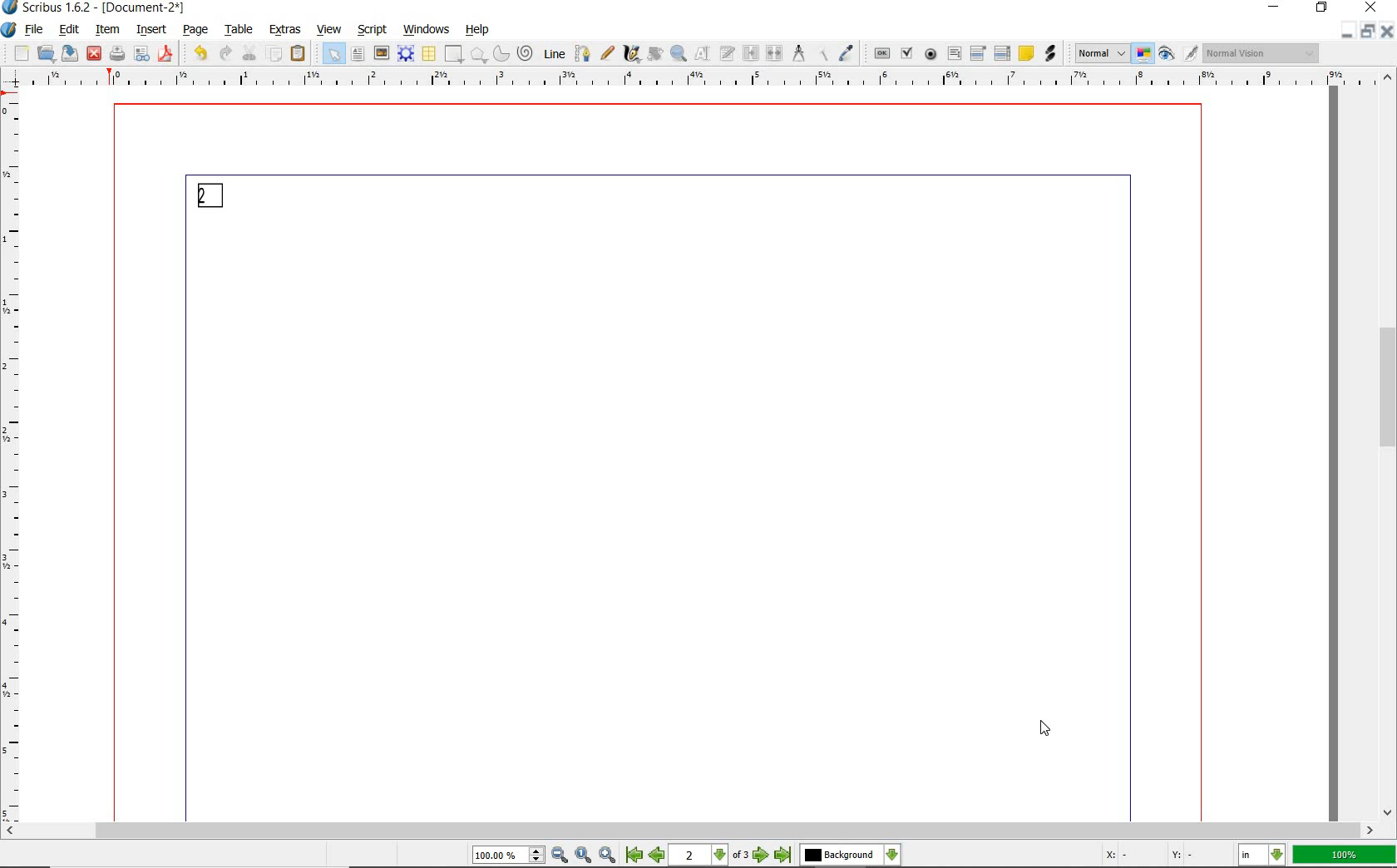  Describe the element at coordinates (478, 55) in the screenshot. I see `polygon` at that location.